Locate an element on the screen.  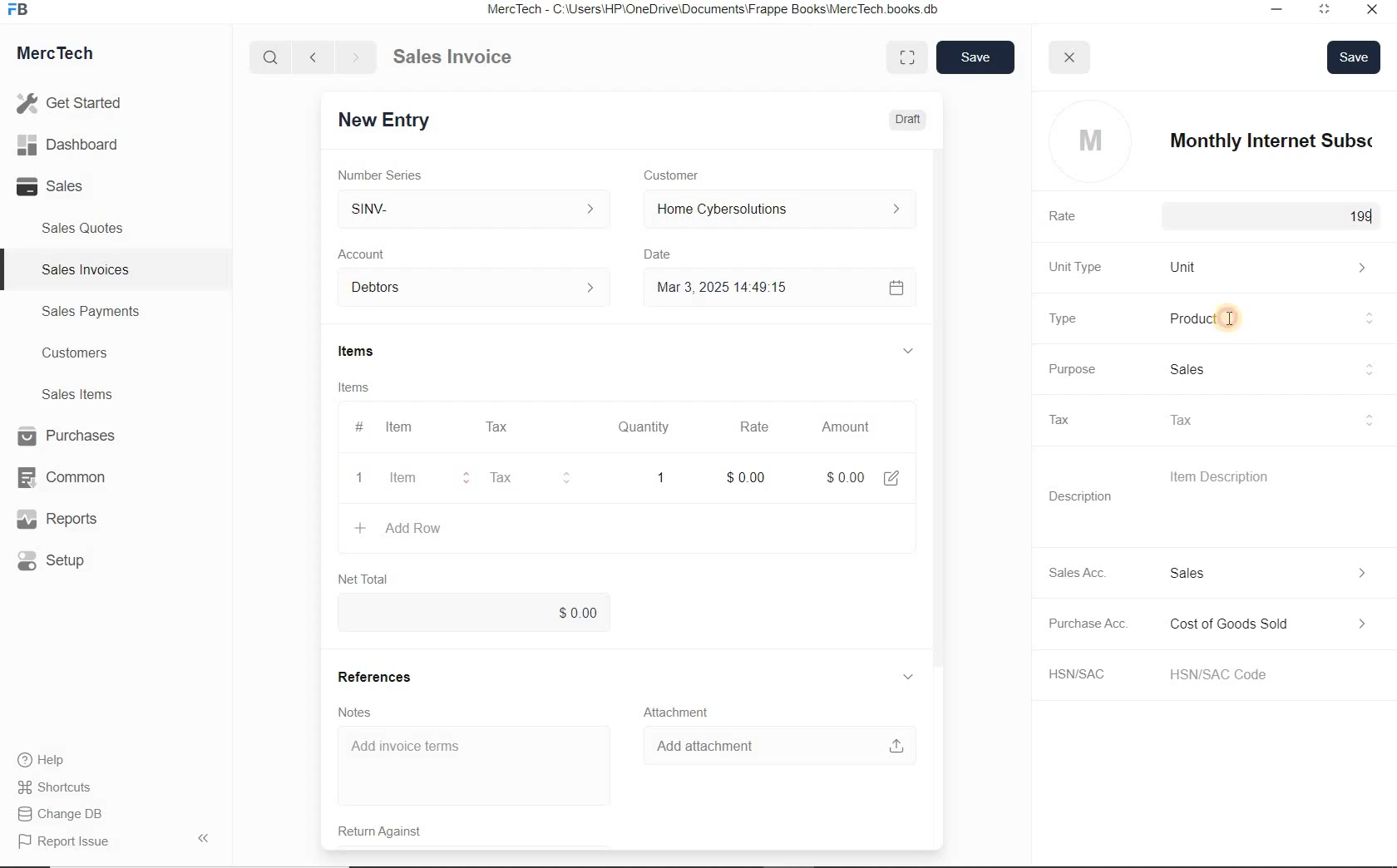
Date is located at coordinates (661, 254).